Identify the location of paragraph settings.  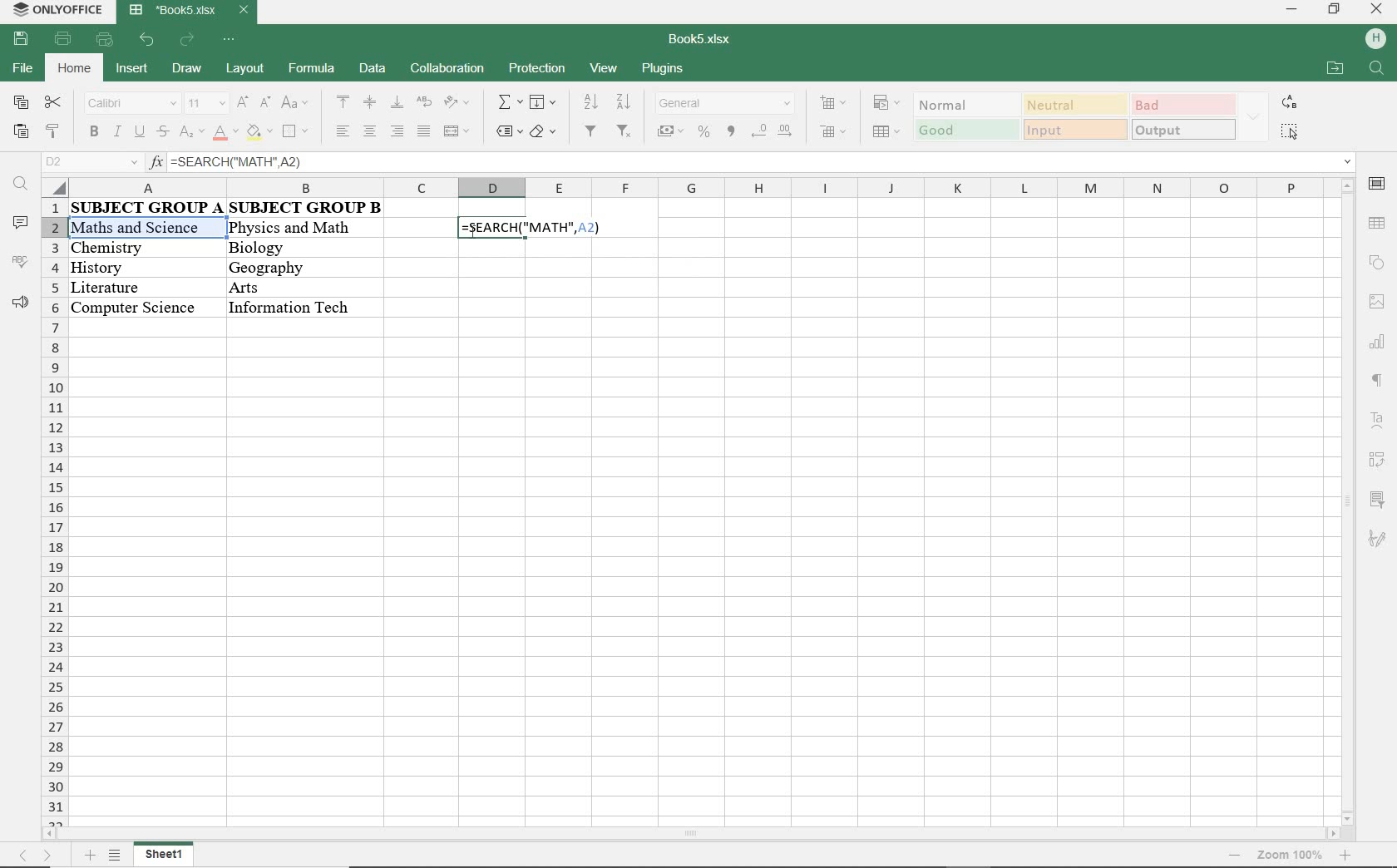
(1377, 380).